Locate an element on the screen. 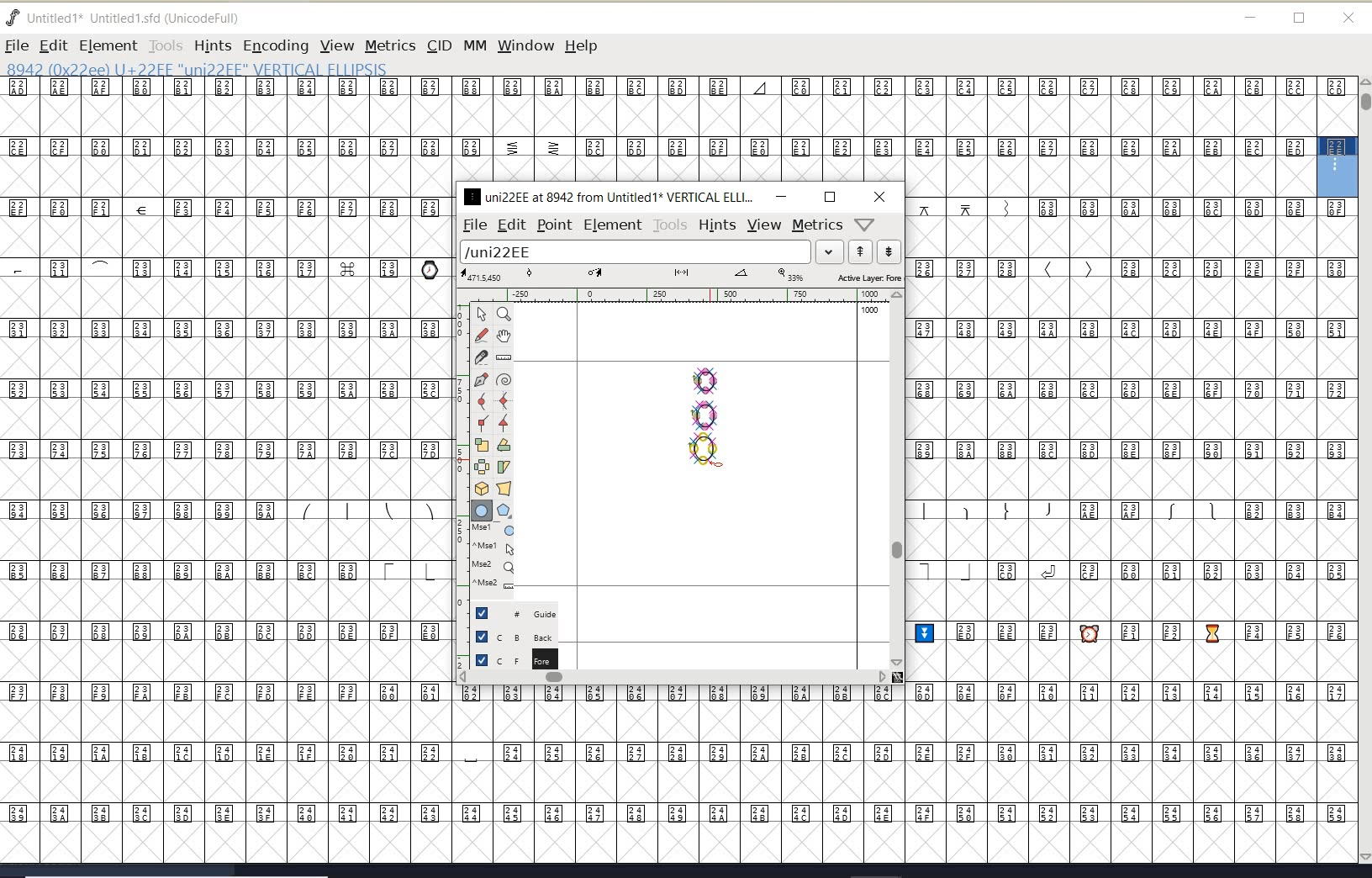 Image resolution: width=1372 pixels, height=878 pixels. fontforge logo is located at coordinates (13, 18).